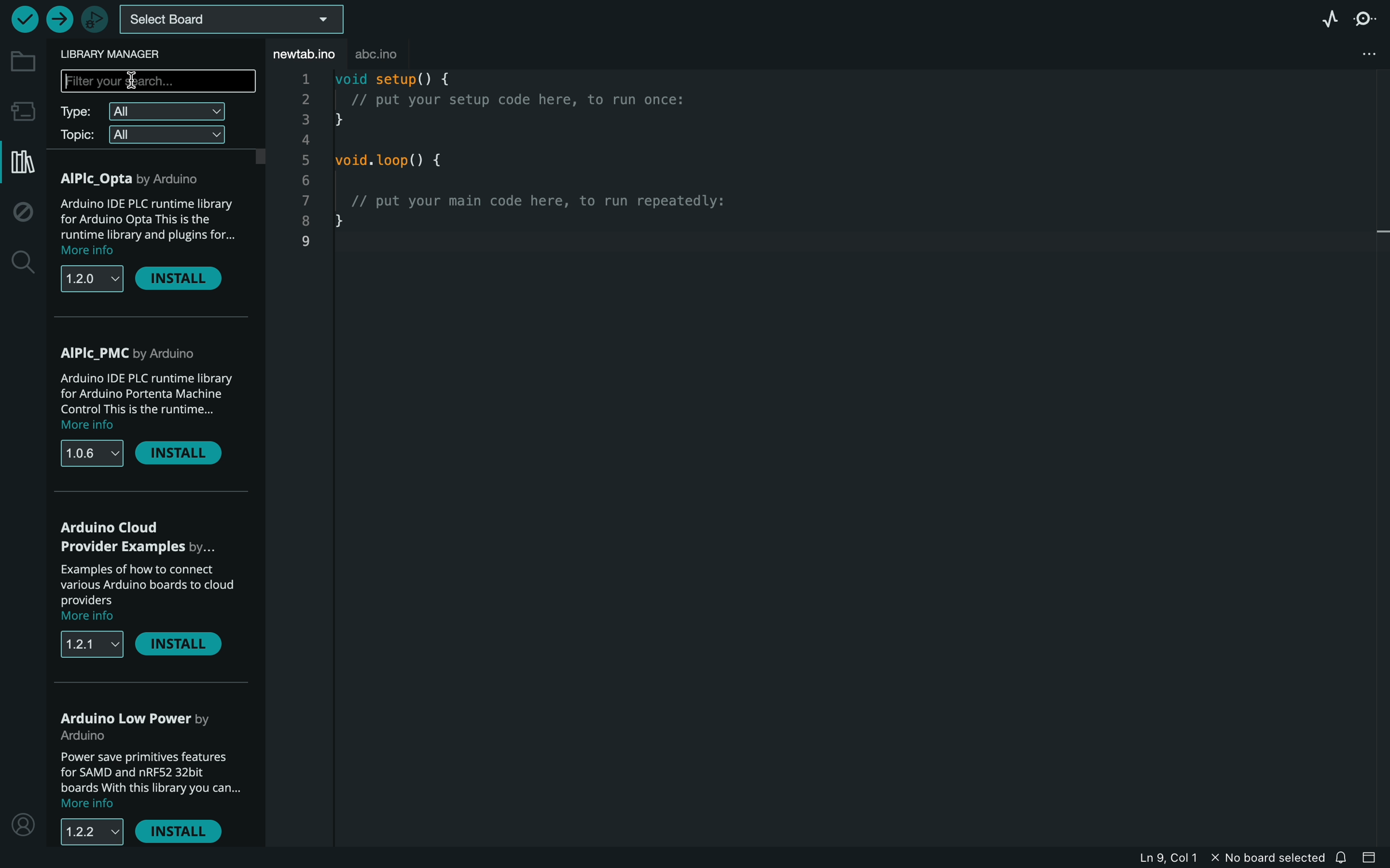 The width and height of the screenshot is (1390, 868). What do you see at coordinates (91, 279) in the screenshot?
I see `version` at bounding box center [91, 279].